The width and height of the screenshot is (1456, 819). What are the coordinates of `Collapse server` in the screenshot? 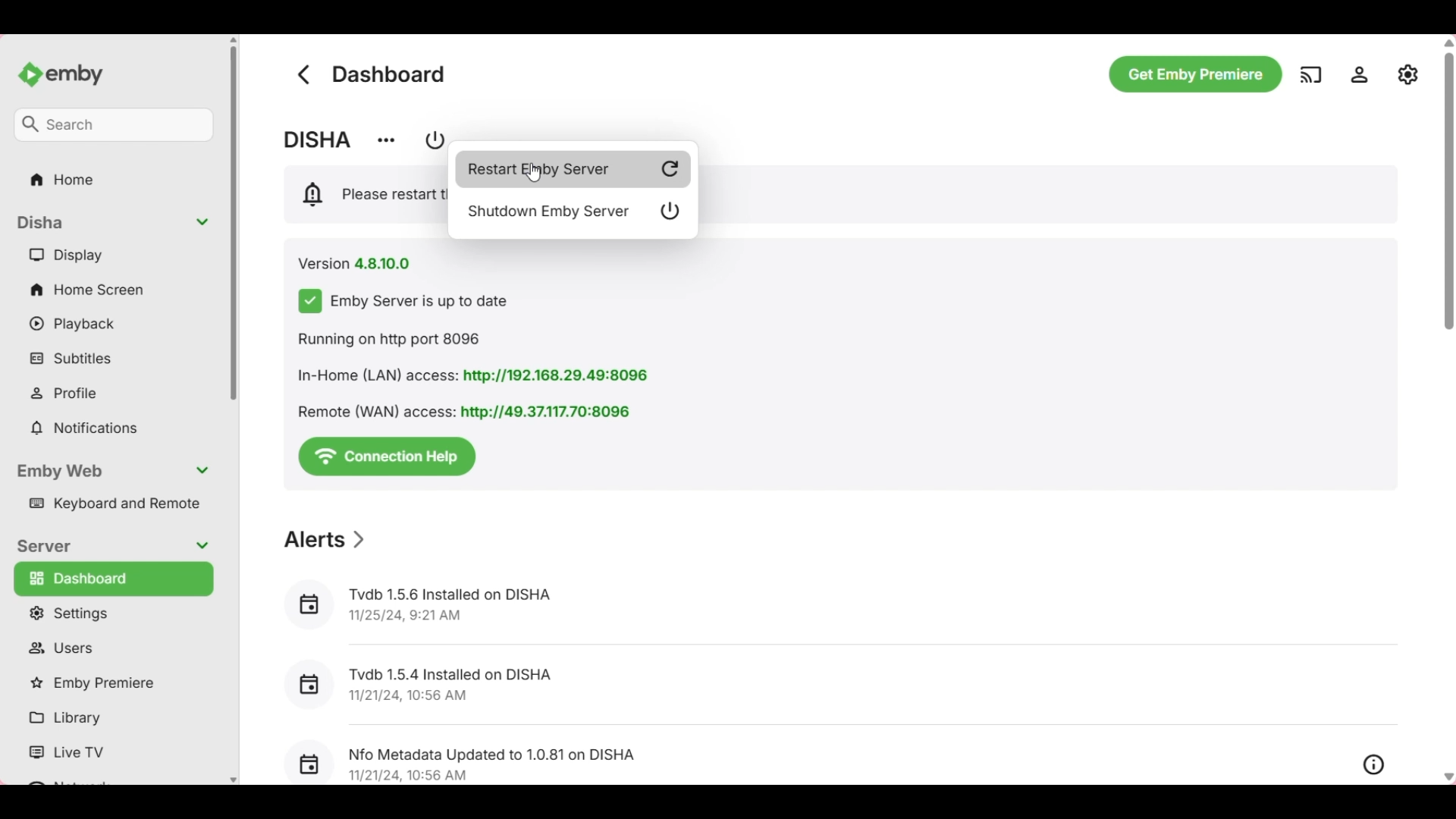 It's located at (111, 547).